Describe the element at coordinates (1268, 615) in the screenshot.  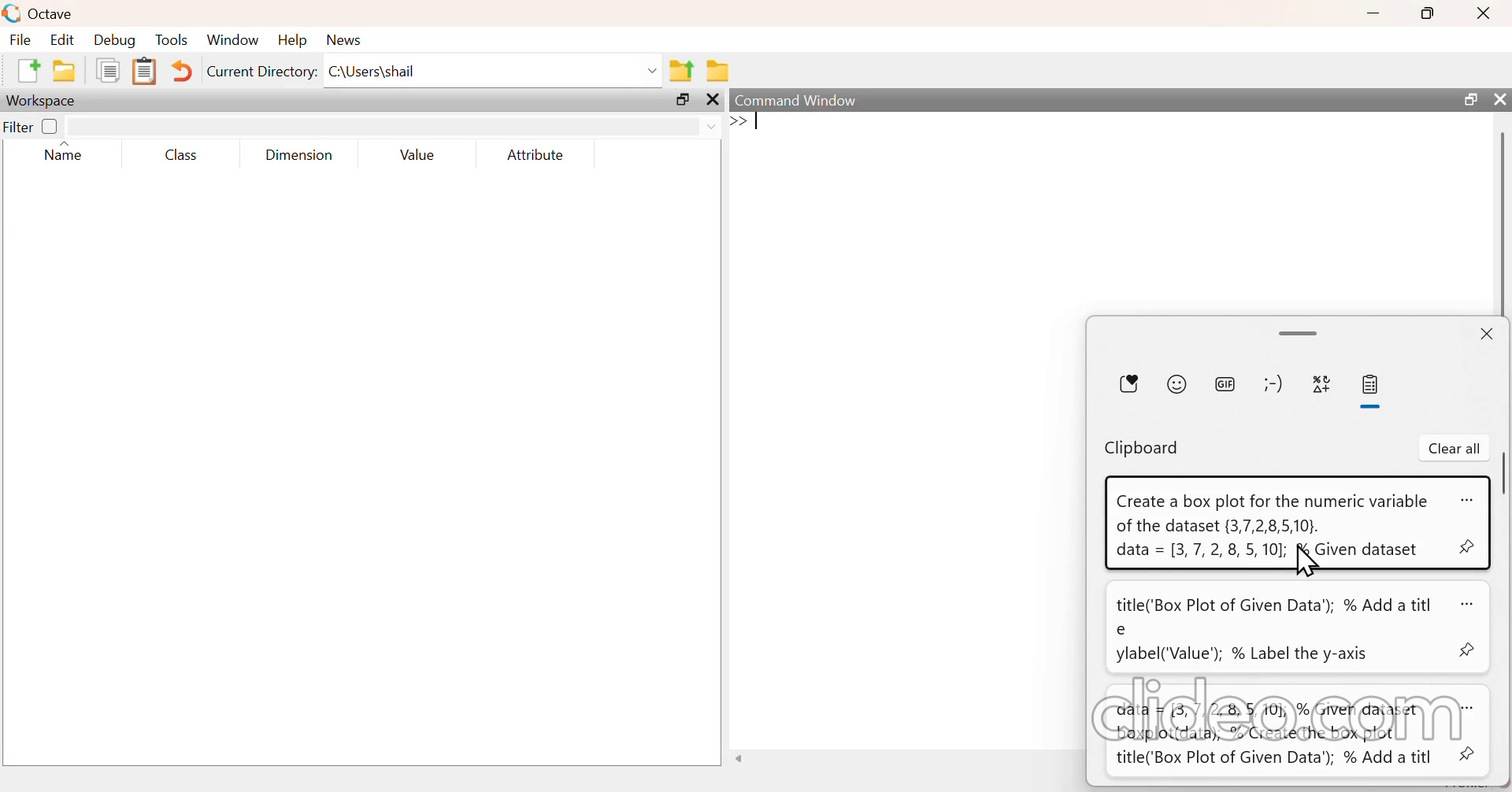
I see `title('Box Plot of Given Data’); % Add a titl
e` at that location.